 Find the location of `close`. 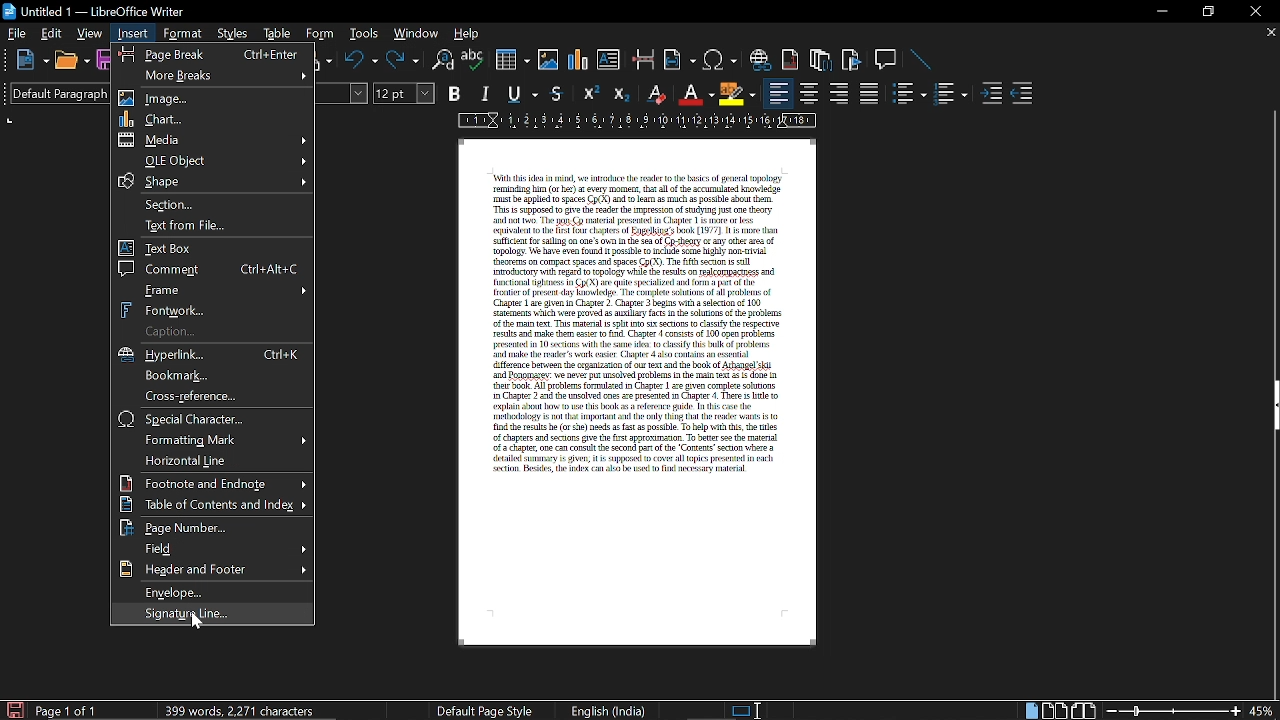

close is located at coordinates (1253, 12).